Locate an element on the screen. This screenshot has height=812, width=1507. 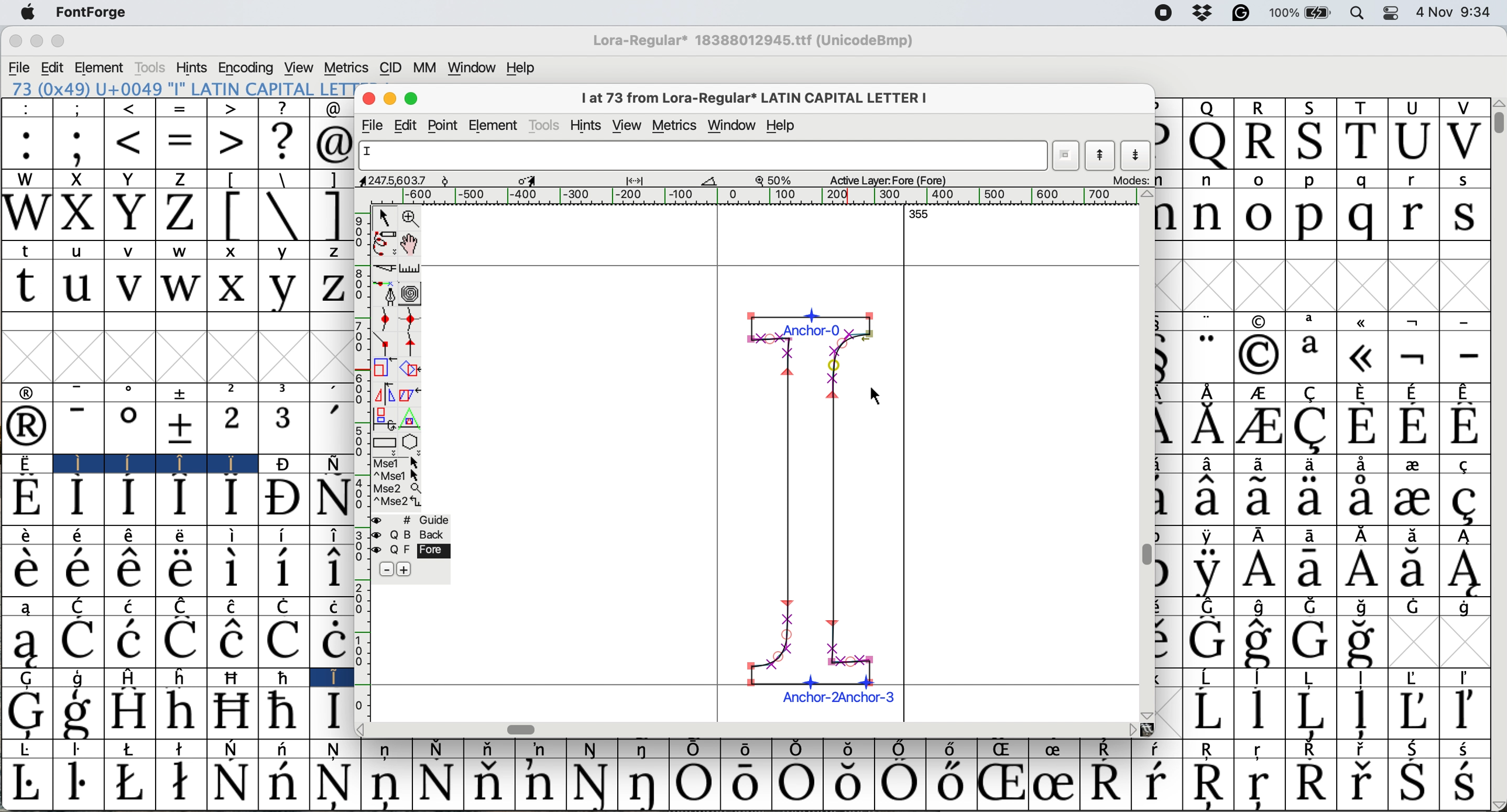
s is located at coordinates (1465, 216).